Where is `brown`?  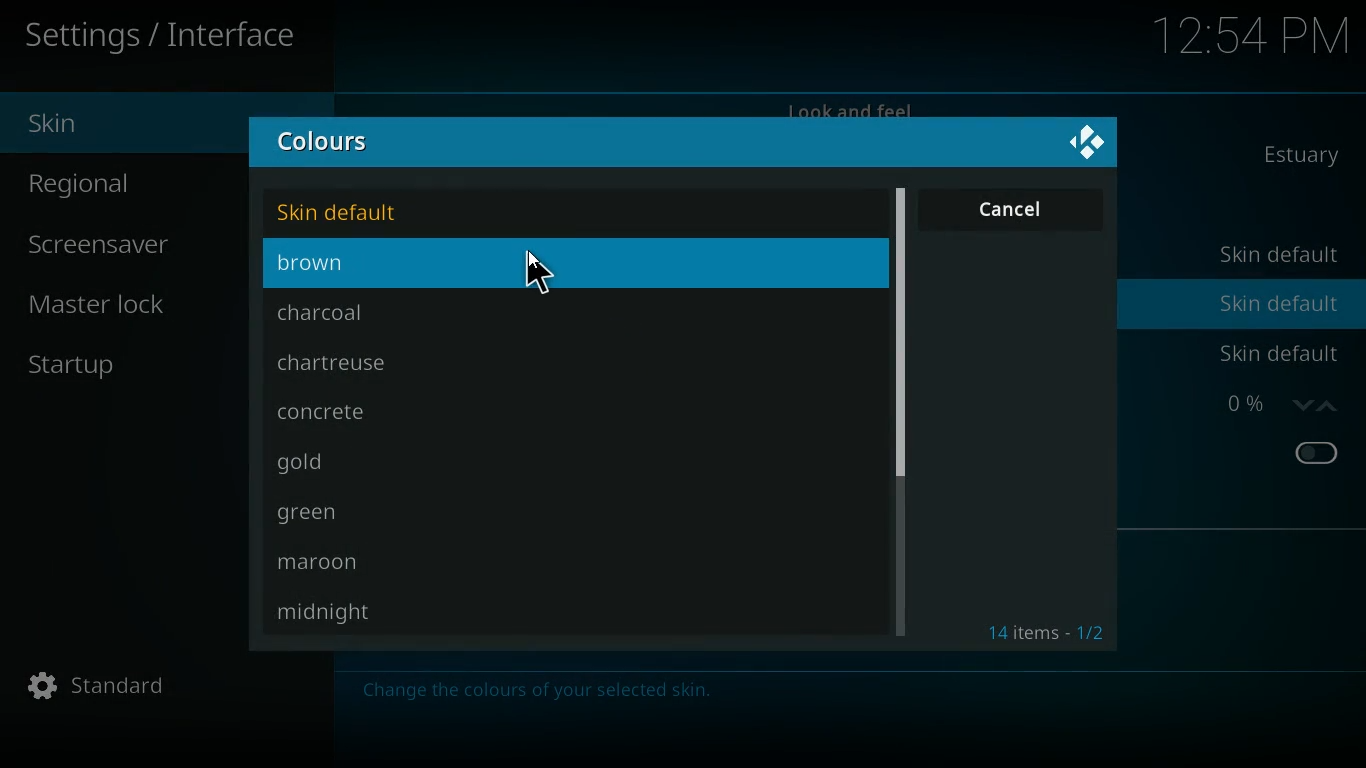
brown is located at coordinates (457, 266).